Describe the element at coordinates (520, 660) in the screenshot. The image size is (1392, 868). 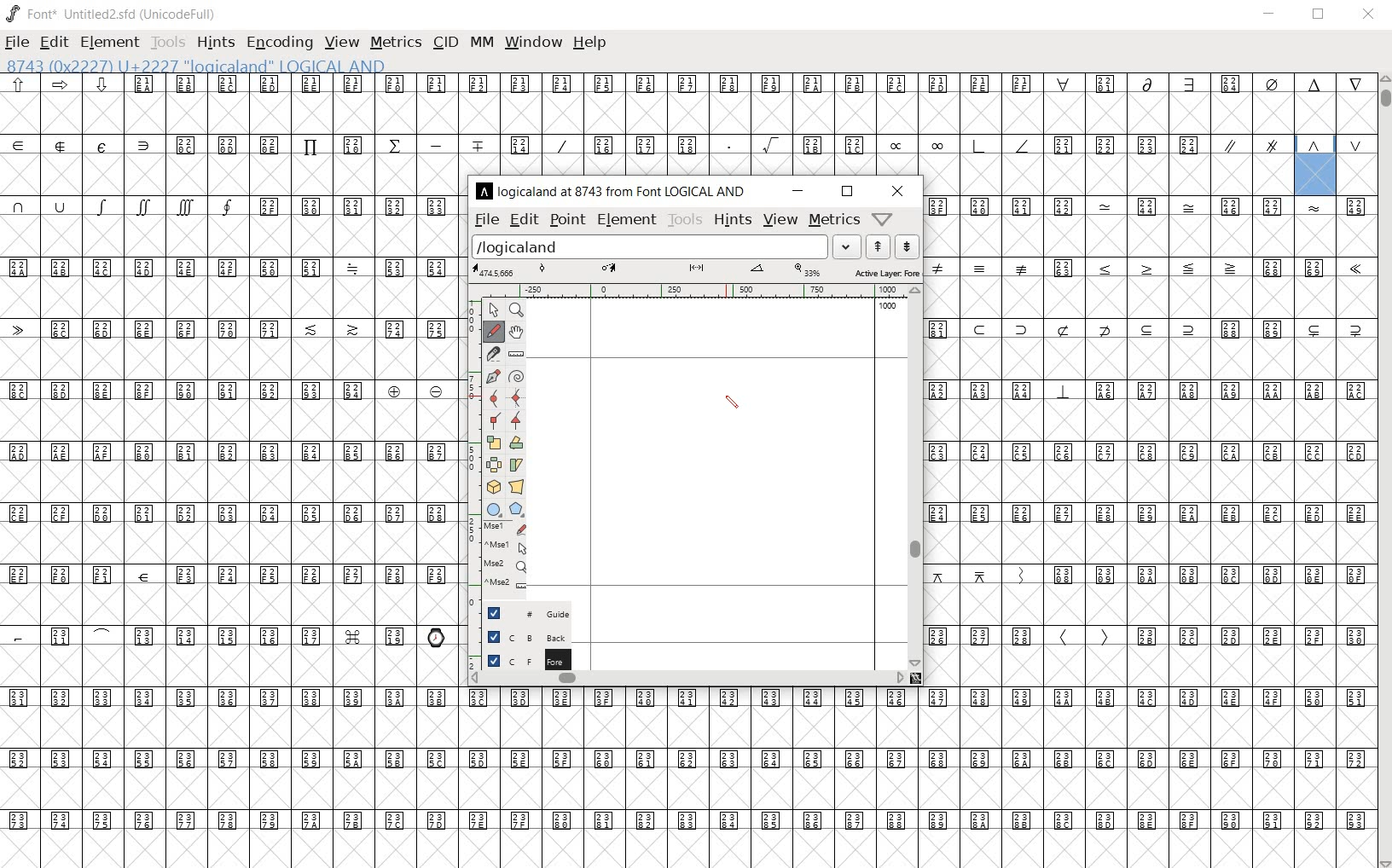
I see `foreground` at that location.